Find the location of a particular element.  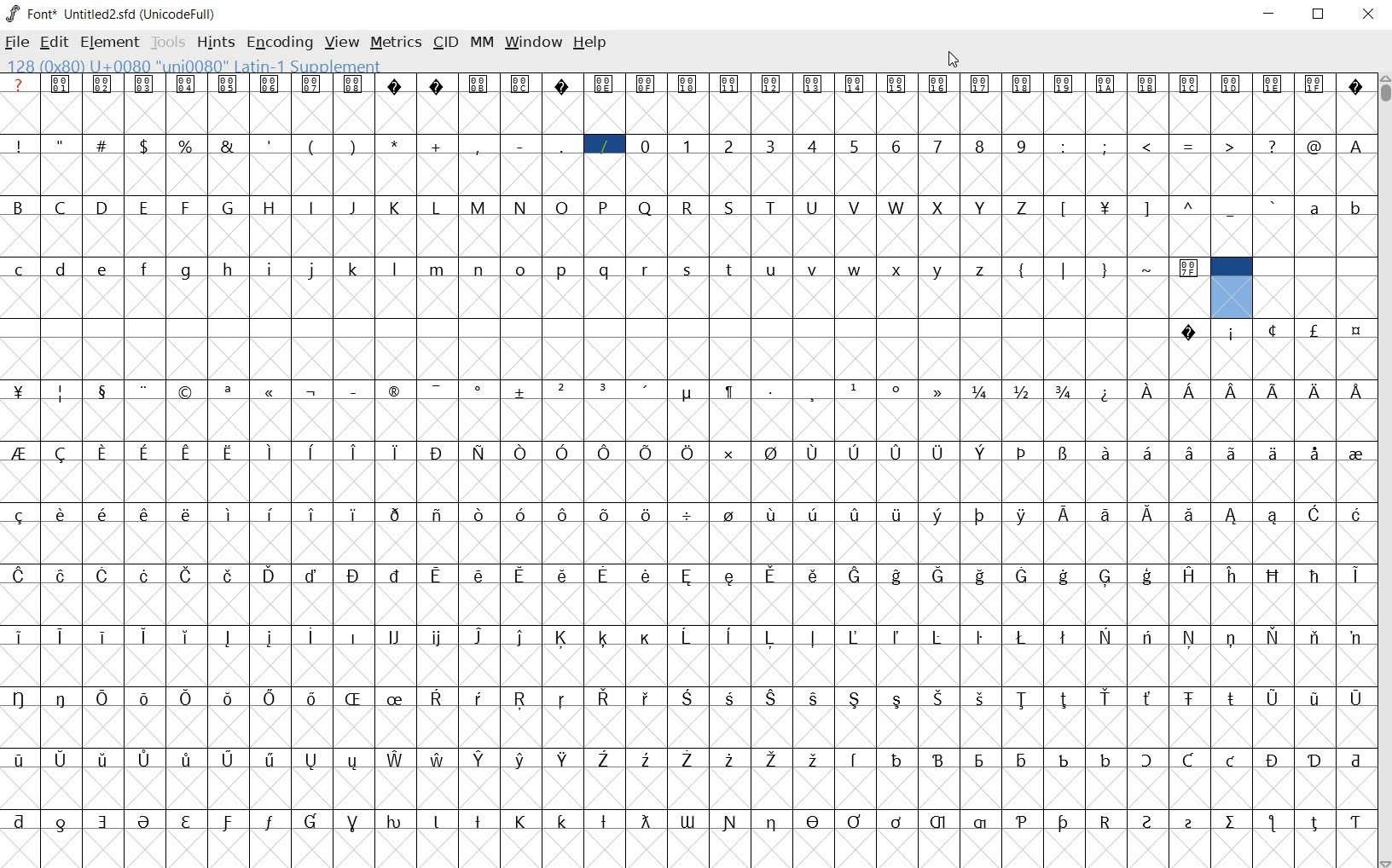

Tools is located at coordinates (168, 42).